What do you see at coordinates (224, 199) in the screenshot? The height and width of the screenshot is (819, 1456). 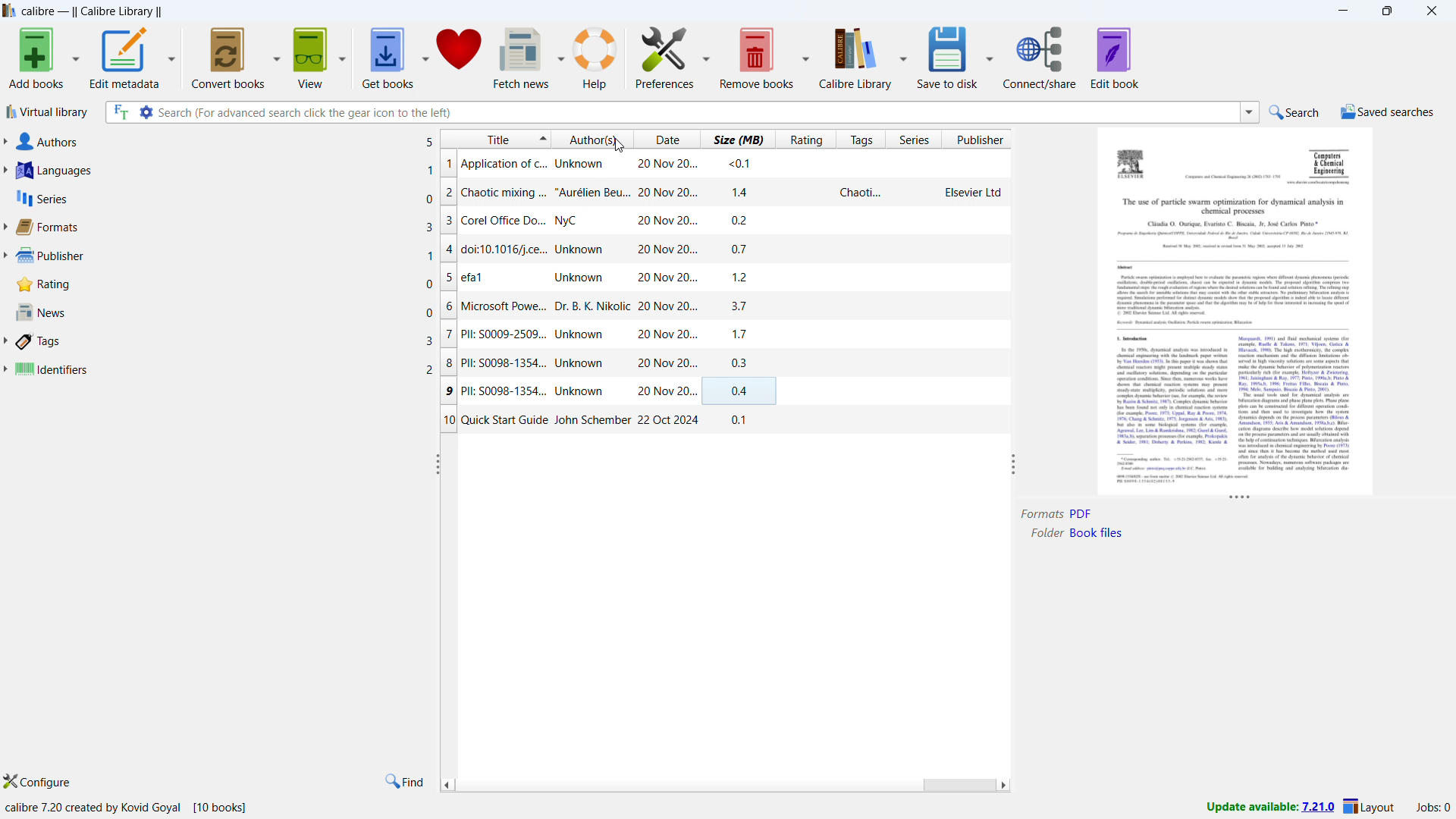 I see `series` at bounding box center [224, 199].